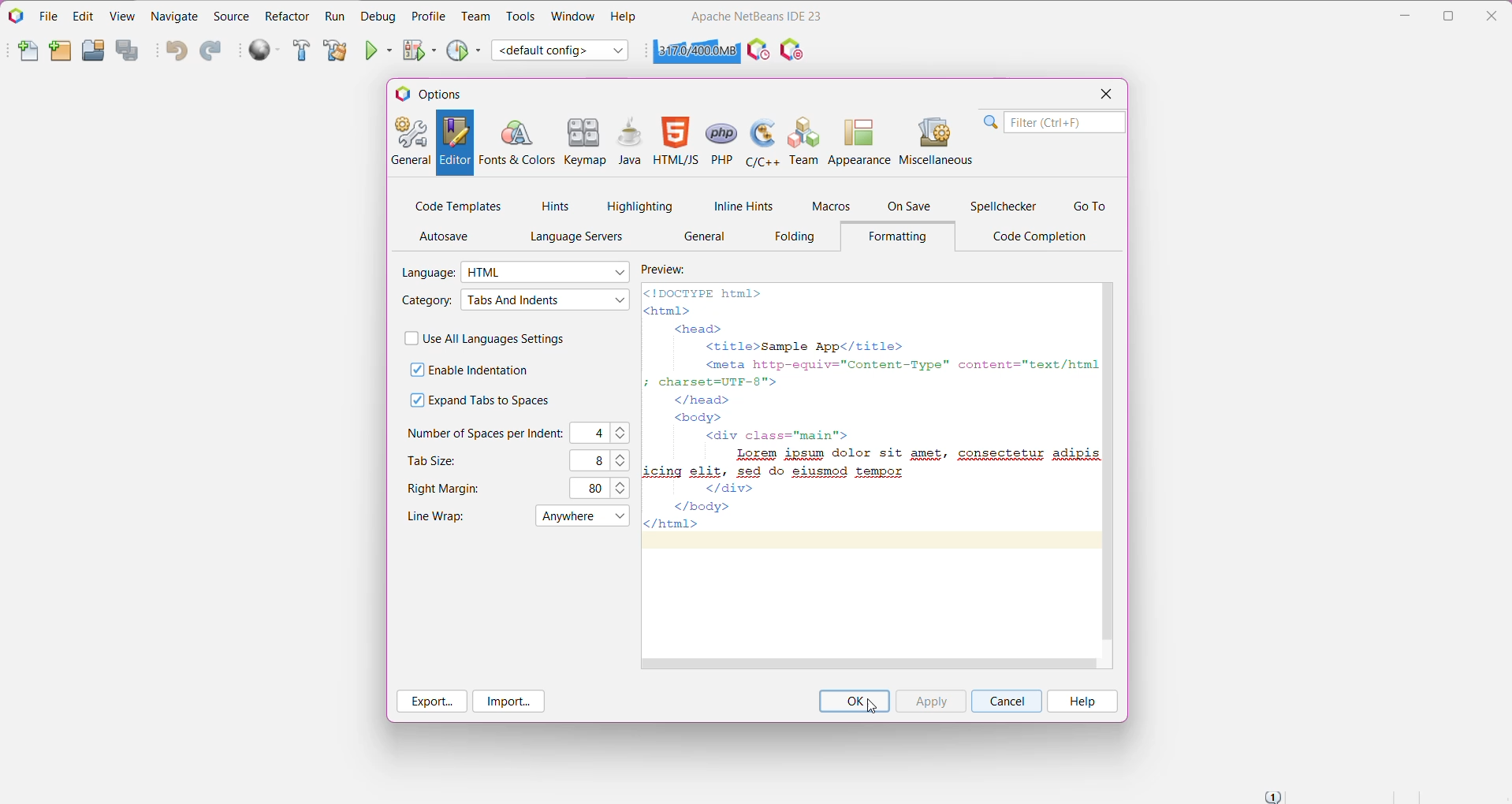 This screenshot has height=804, width=1512. What do you see at coordinates (49, 17) in the screenshot?
I see `File` at bounding box center [49, 17].